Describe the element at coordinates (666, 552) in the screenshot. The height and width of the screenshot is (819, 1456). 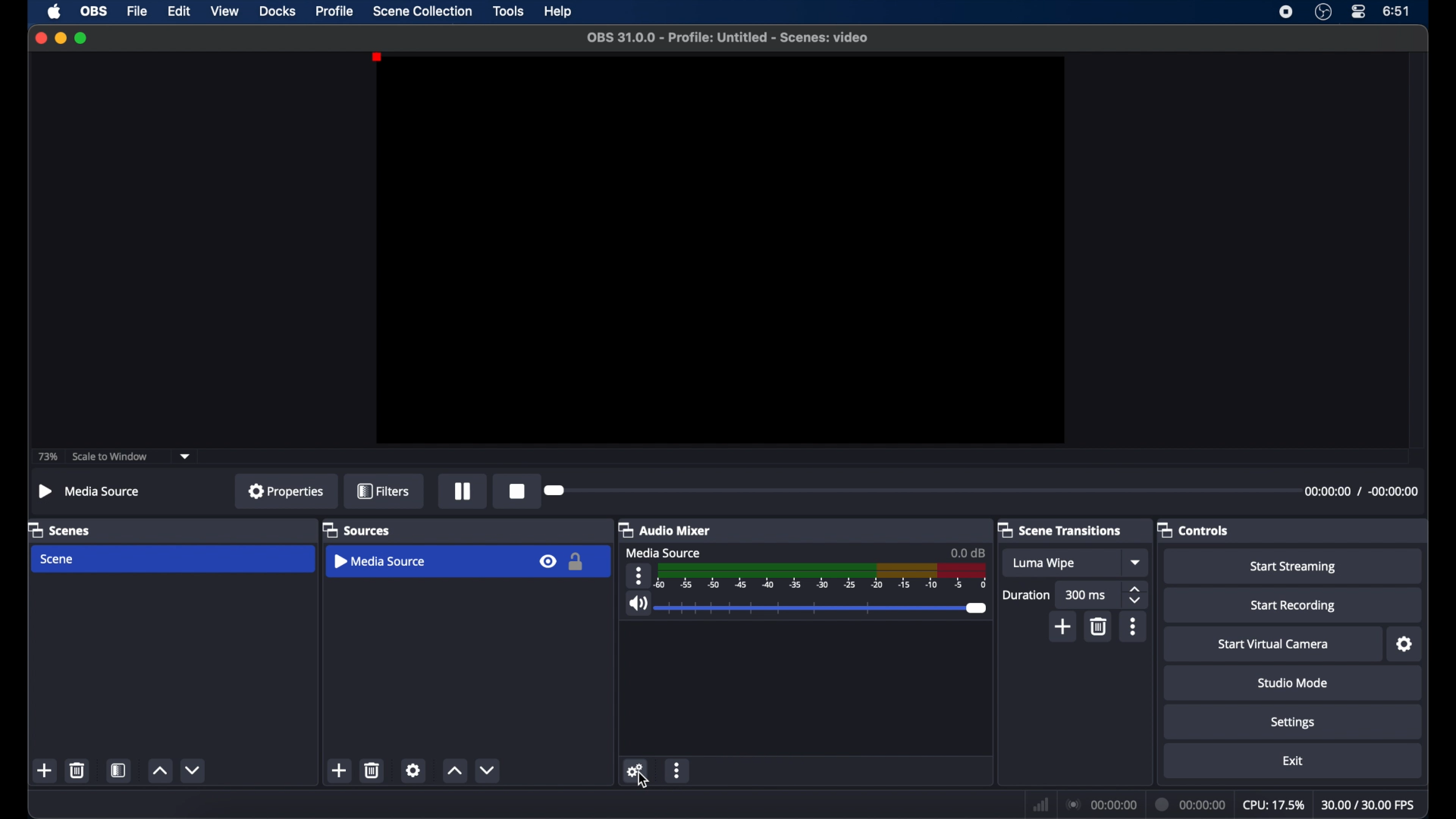
I see `media source` at that location.